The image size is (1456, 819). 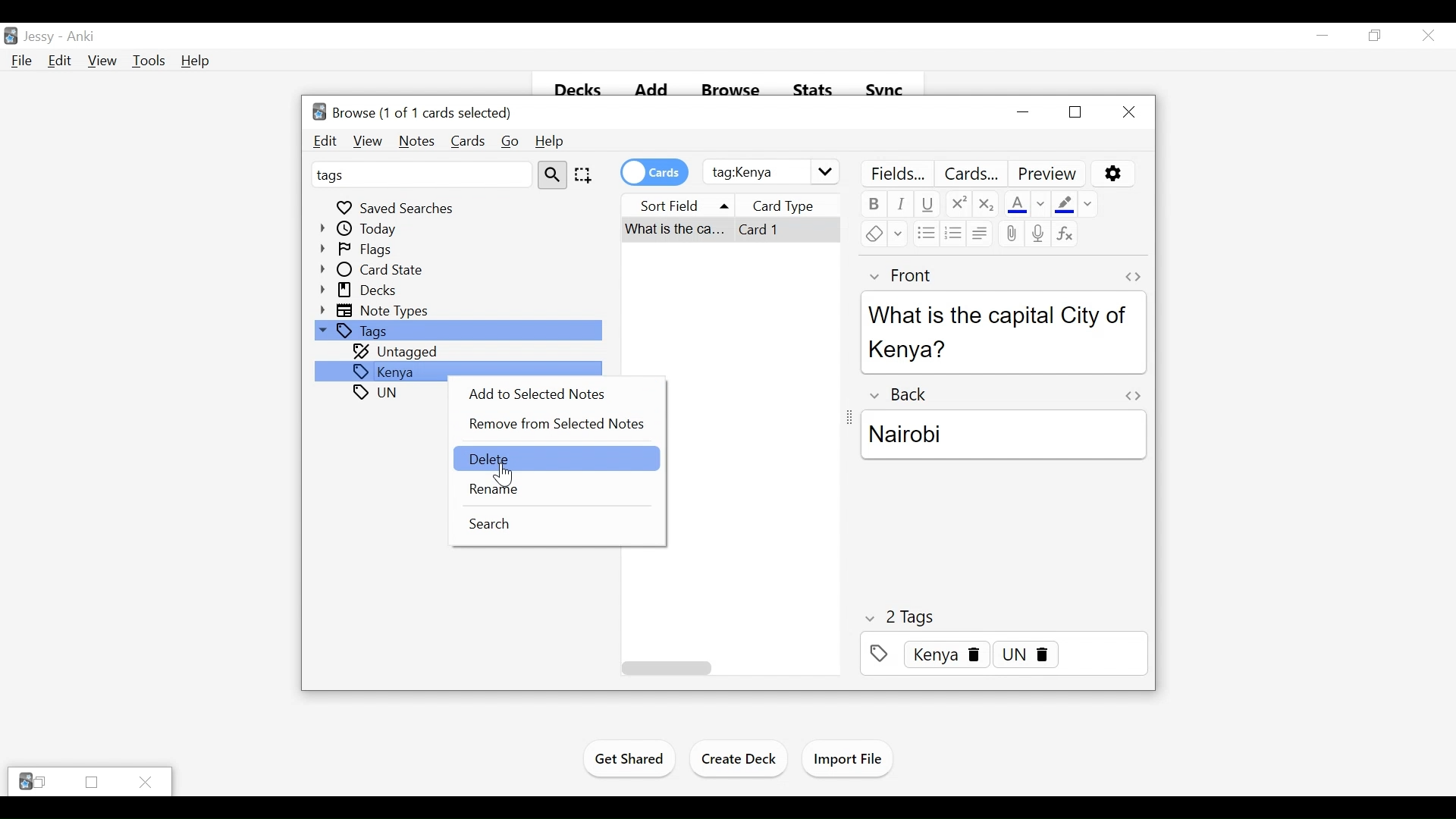 I want to click on card type, so click(x=798, y=204).